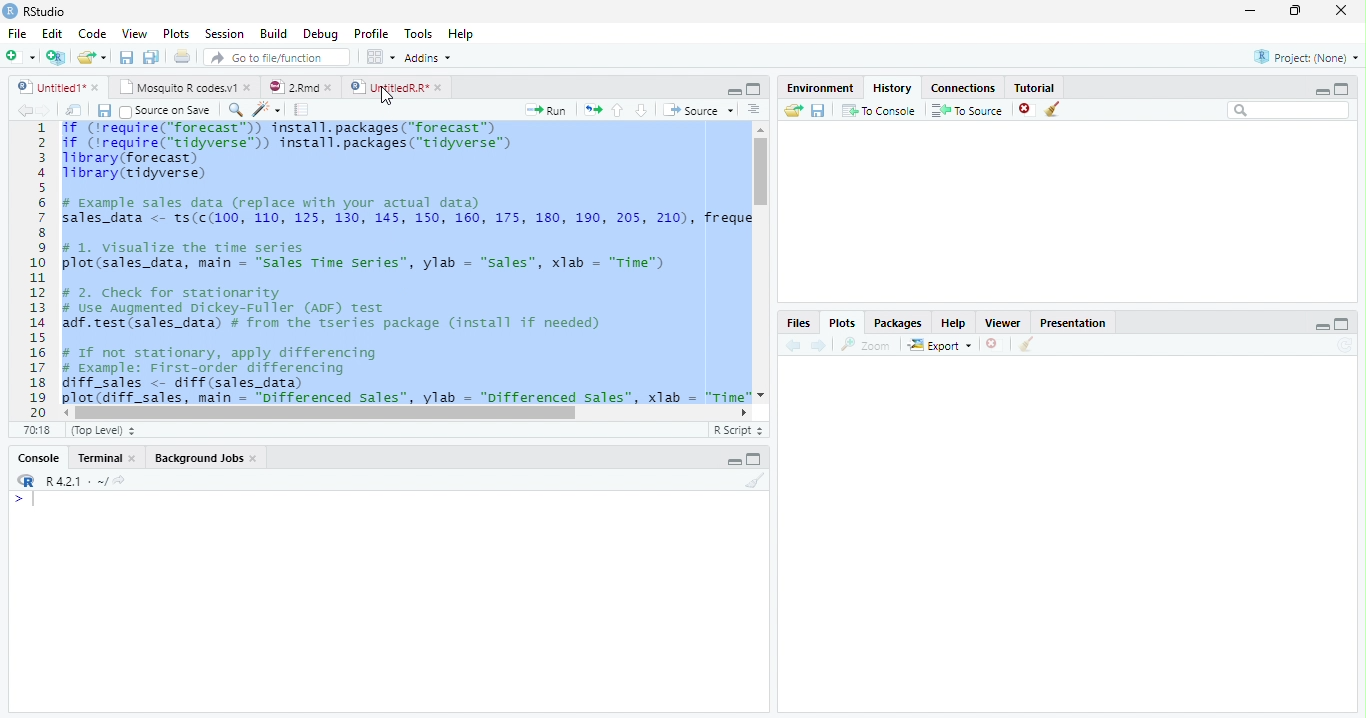  I want to click on Environment, so click(822, 89).